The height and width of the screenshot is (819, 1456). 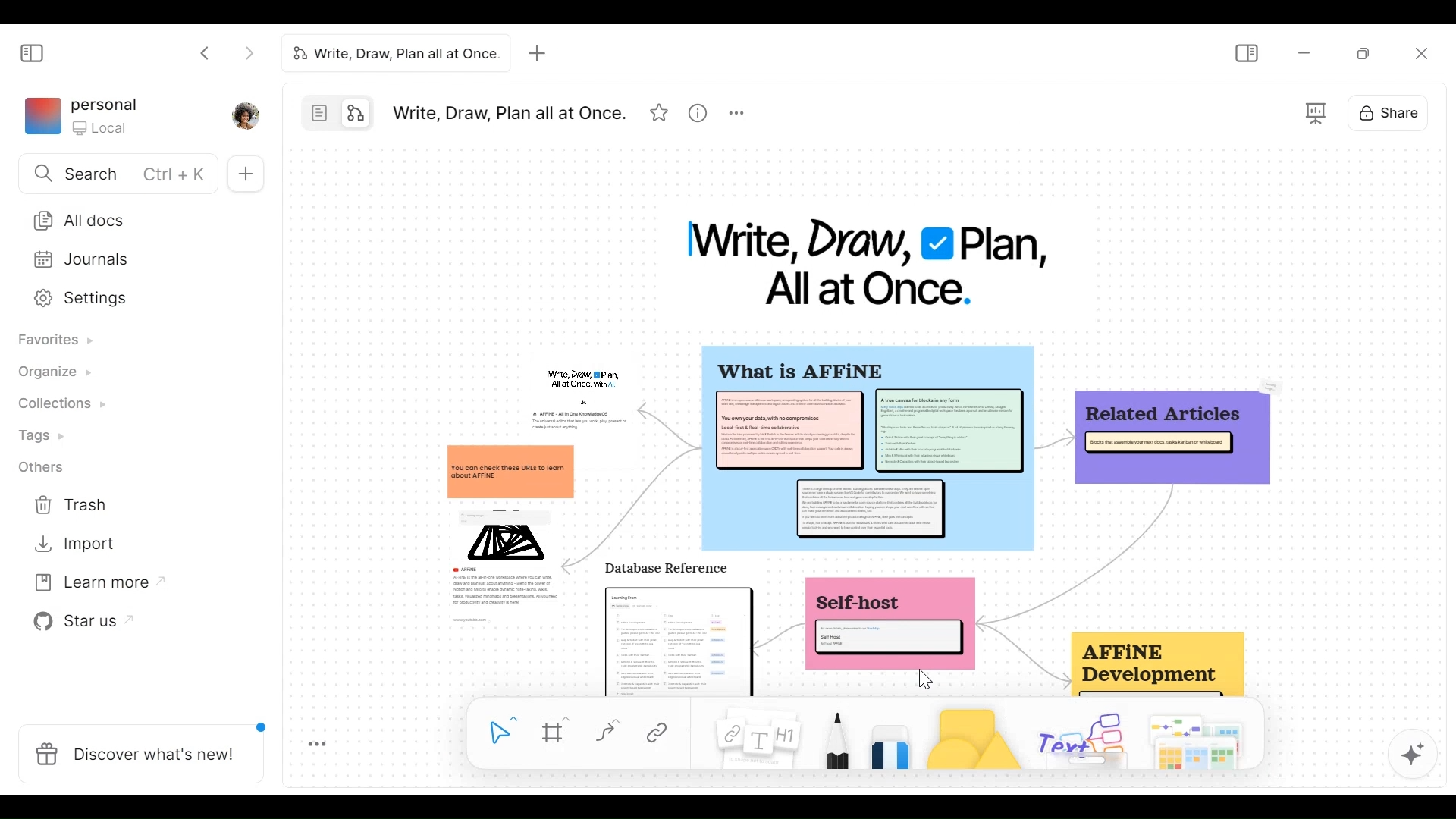 What do you see at coordinates (553, 730) in the screenshot?
I see `Frame` at bounding box center [553, 730].